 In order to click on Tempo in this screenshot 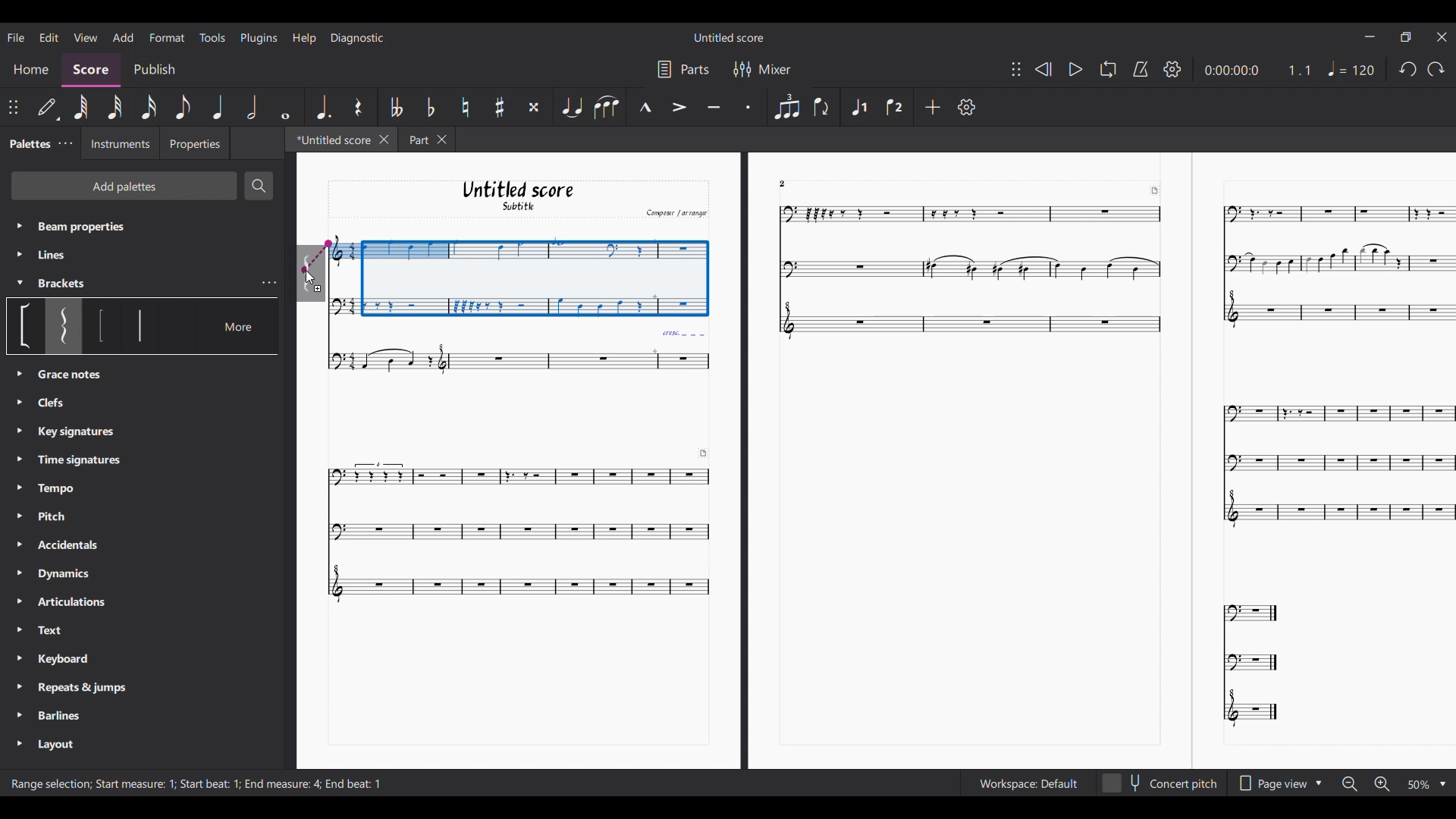, I will do `click(61, 488)`.